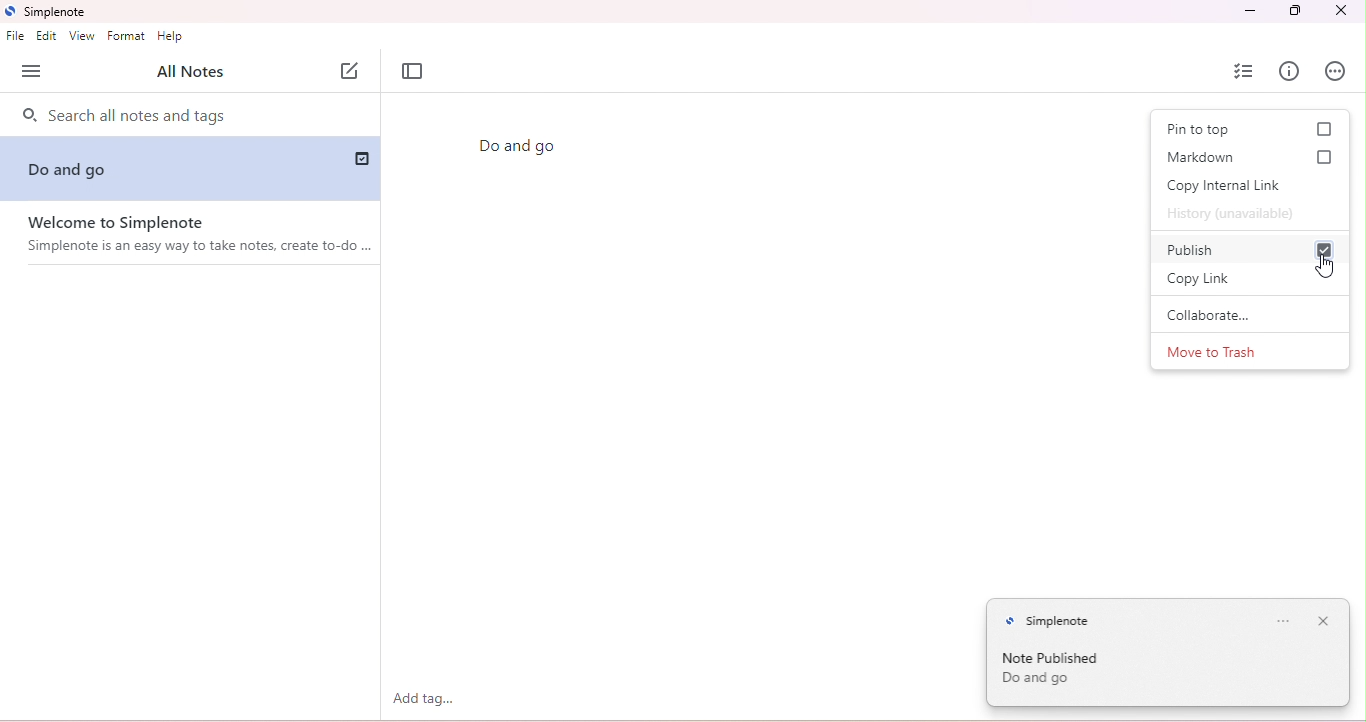 The height and width of the screenshot is (722, 1366). Describe the element at coordinates (190, 73) in the screenshot. I see `all notes` at that location.